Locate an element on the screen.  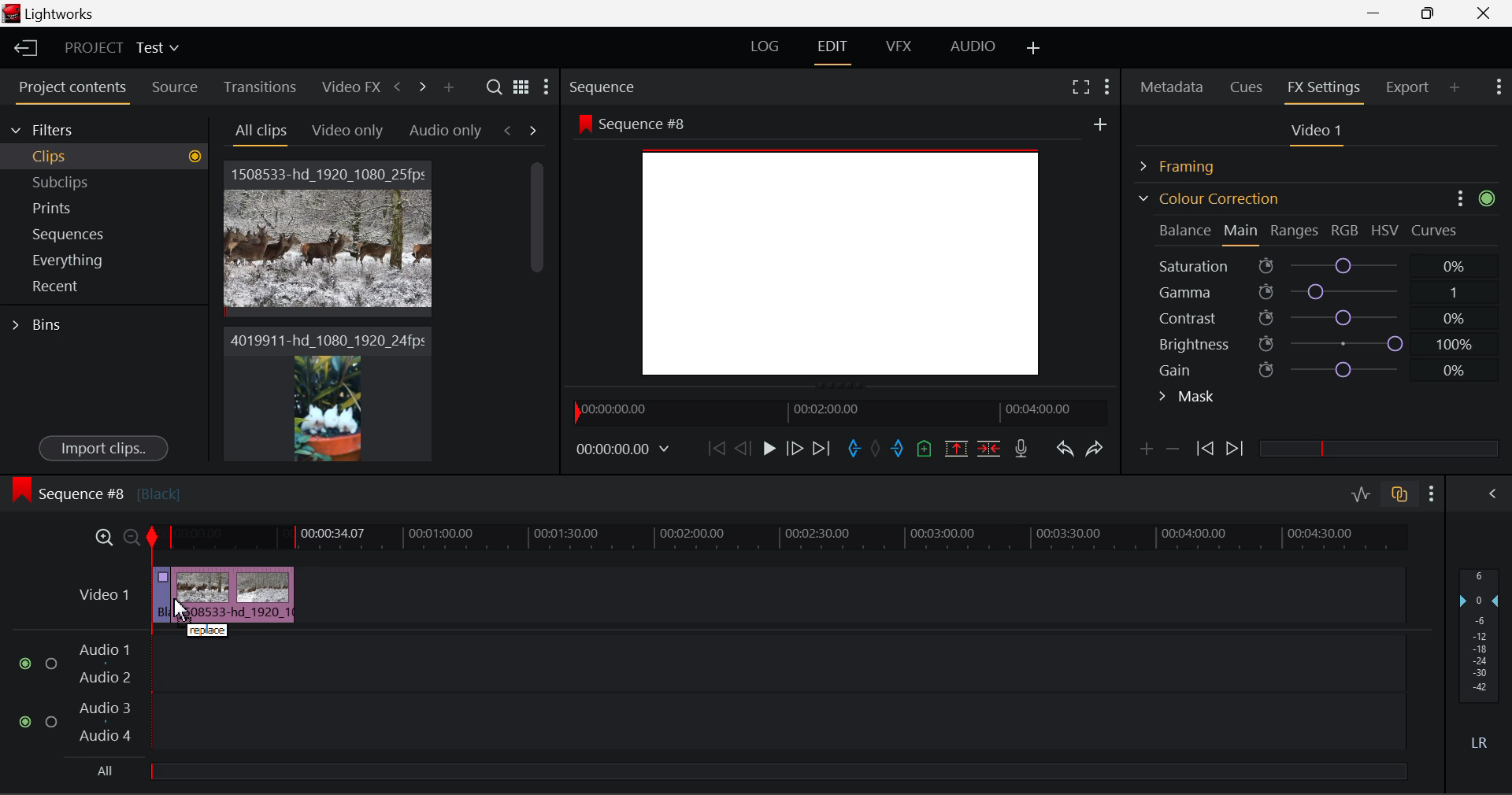
Main Tab Open is located at coordinates (1242, 232).